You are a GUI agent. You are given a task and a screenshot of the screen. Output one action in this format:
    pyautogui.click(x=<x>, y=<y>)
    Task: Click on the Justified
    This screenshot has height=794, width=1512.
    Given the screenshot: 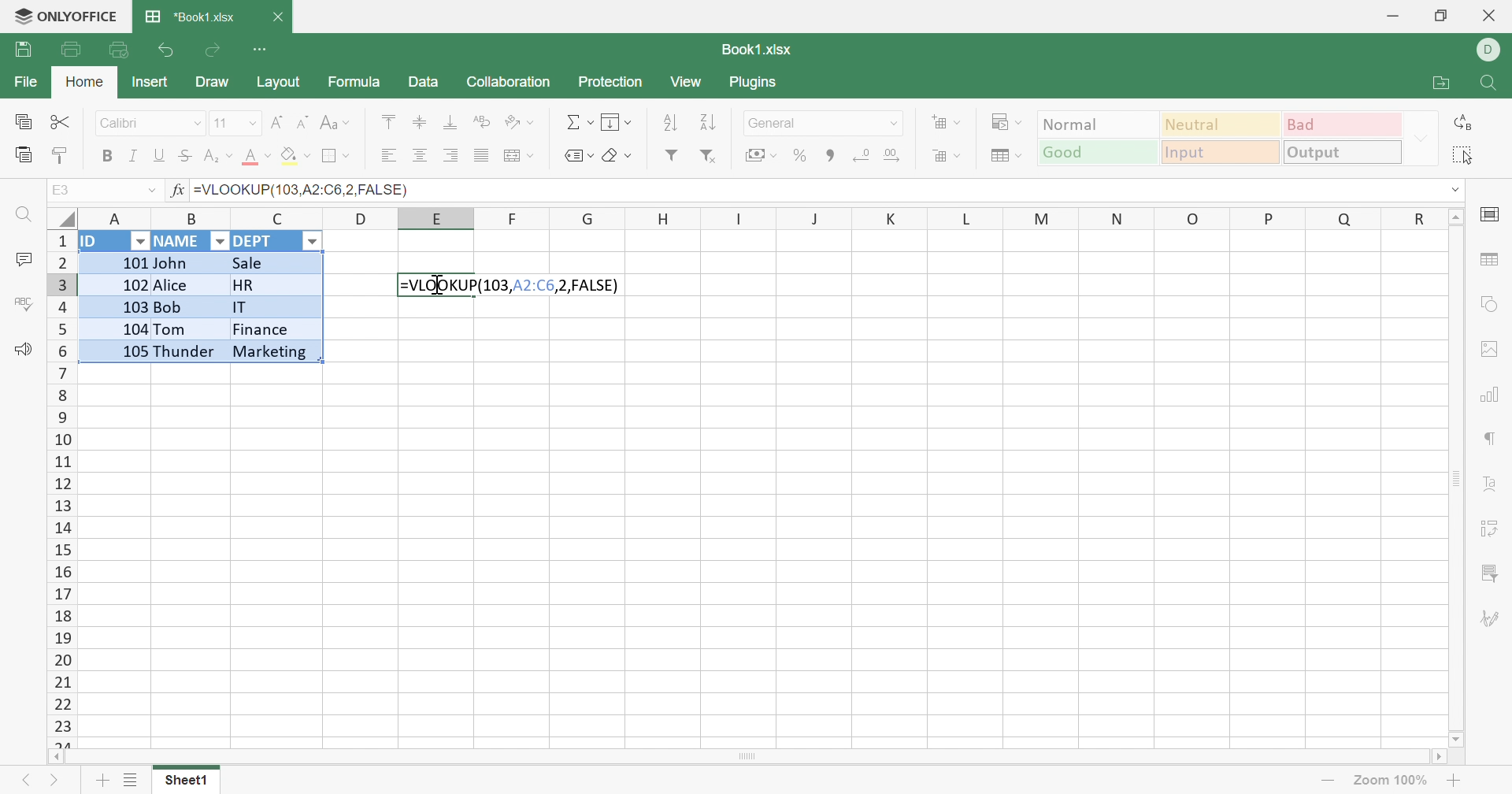 What is the action you would take?
    pyautogui.click(x=483, y=155)
    